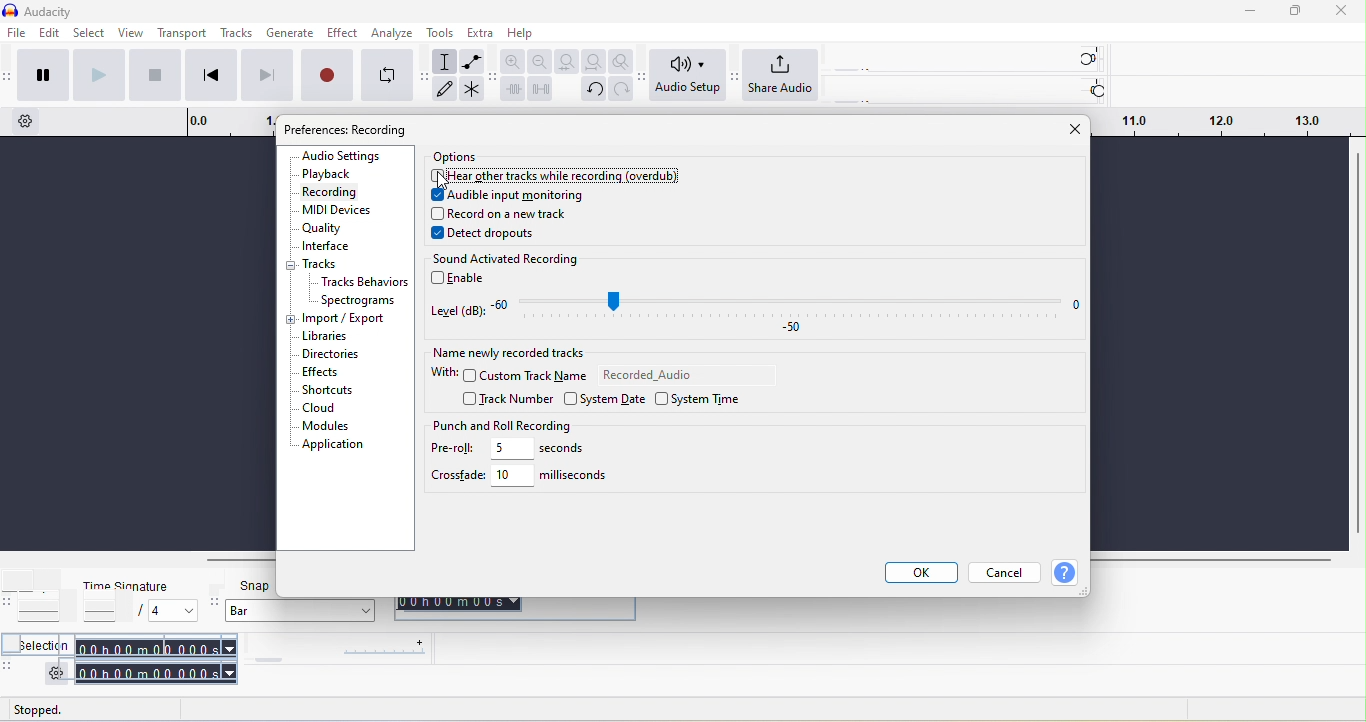 This screenshot has height=722, width=1366. I want to click on record on a new track, so click(504, 215).